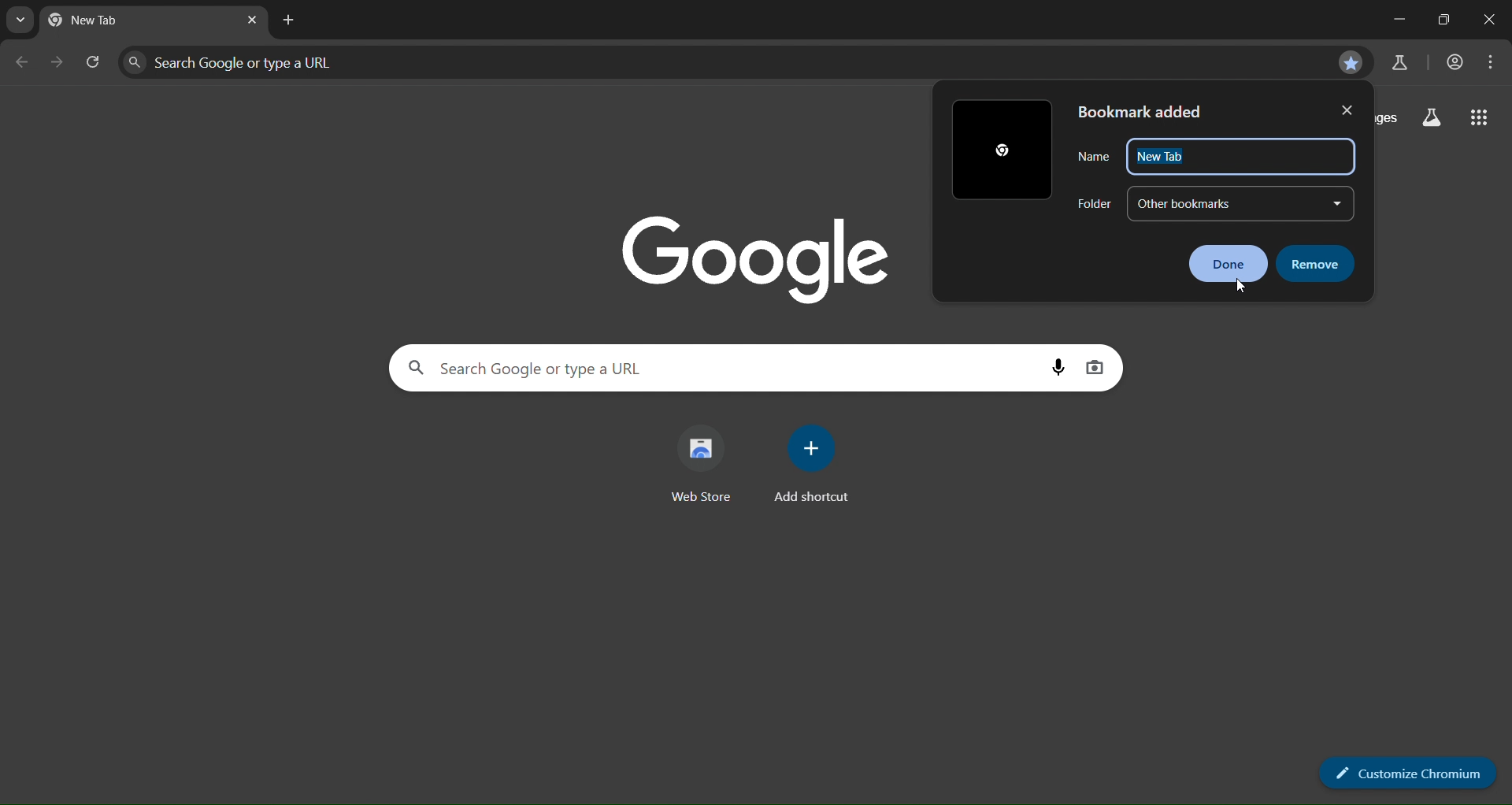  Describe the element at coordinates (250, 20) in the screenshot. I see `close tab` at that location.